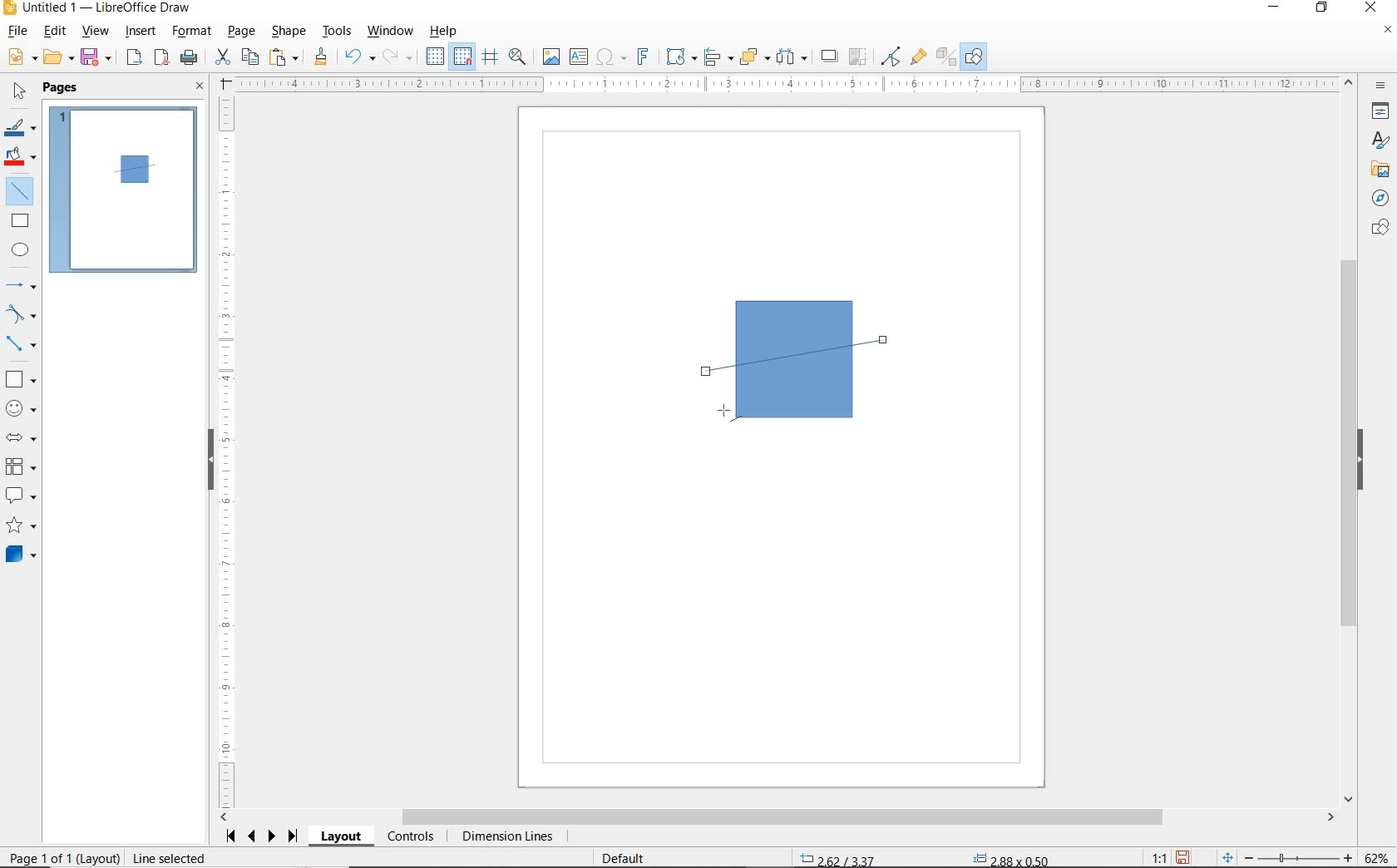 This screenshot has width=1397, height=868. I want to click on EDIT, so click(55, 31).